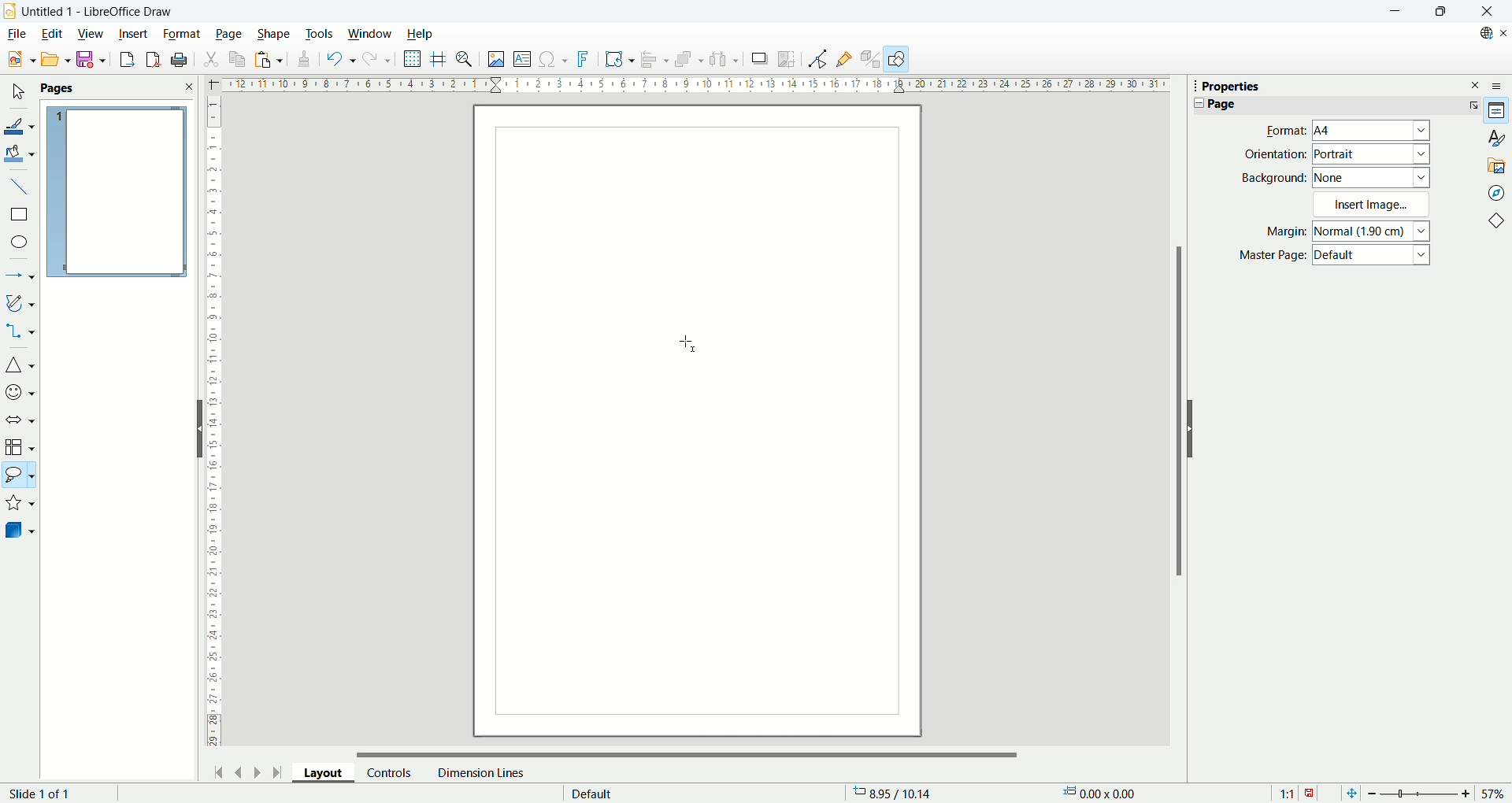  What do you see at coordinates (1393, 12) in the screenshot?
I see `minimize` at bounding box center [1393, 12].